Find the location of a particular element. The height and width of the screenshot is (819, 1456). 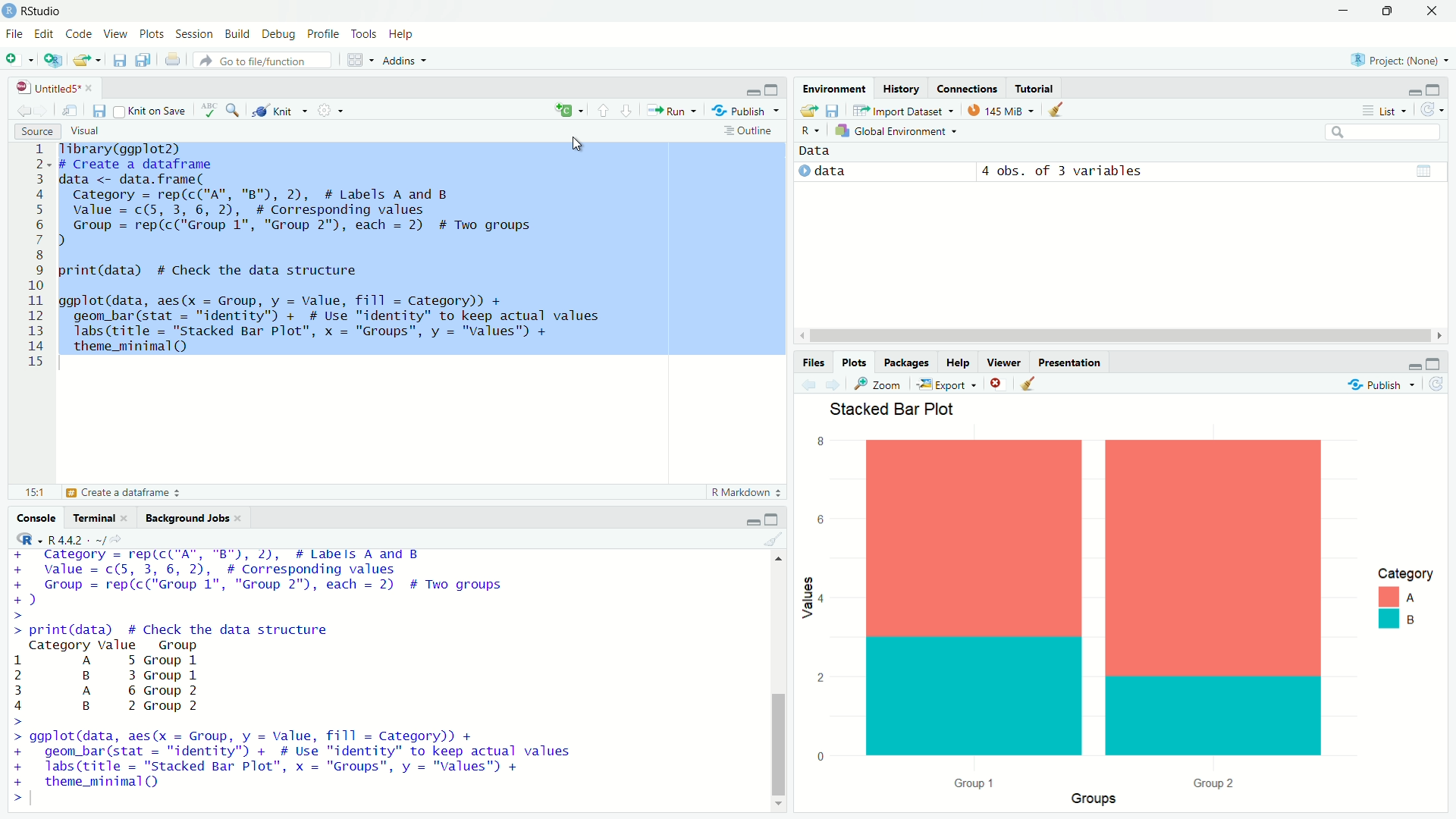

Tutotiral is located at coordinates (1035, 87).